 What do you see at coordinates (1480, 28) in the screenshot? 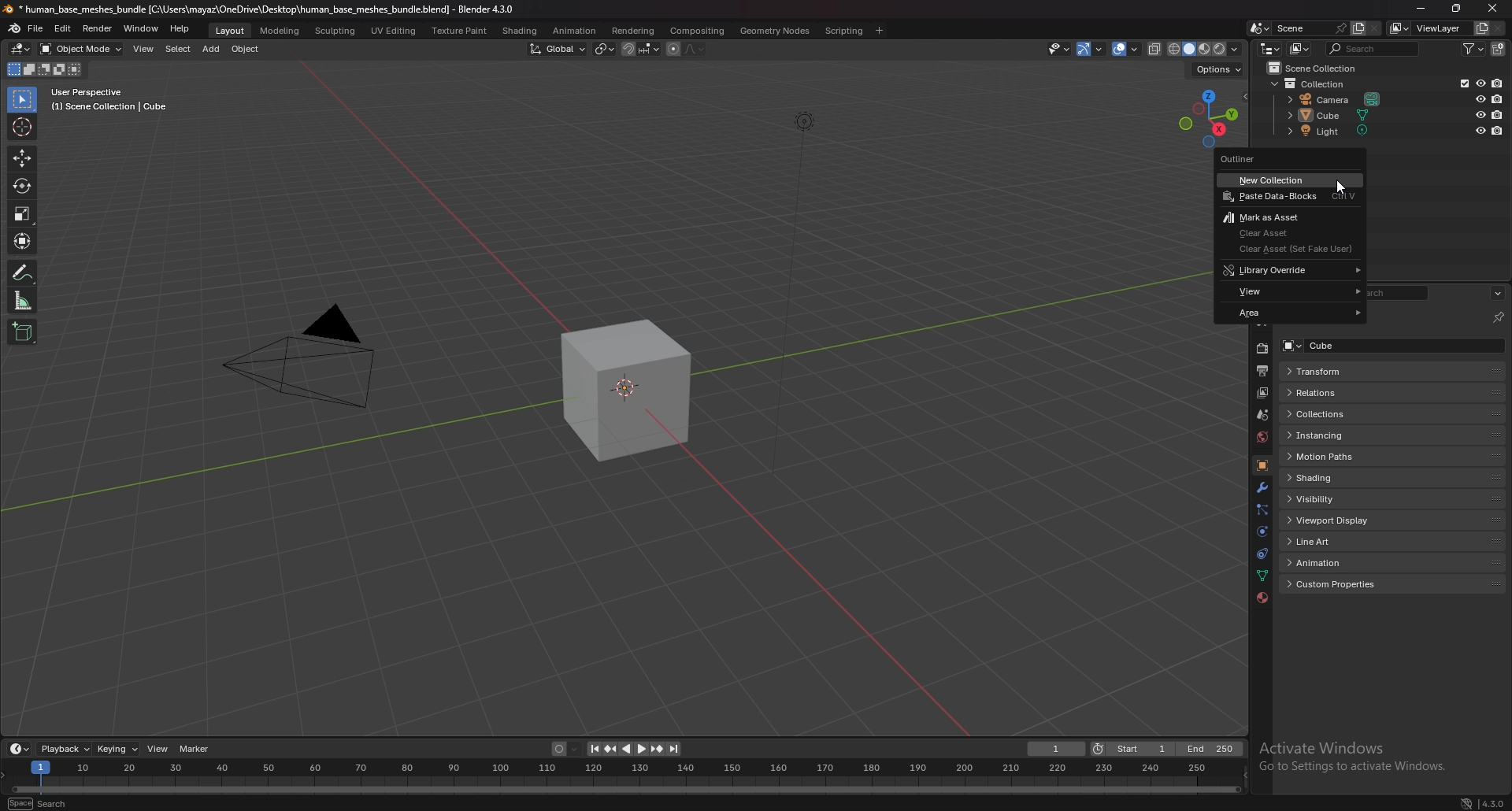
I see `add view layer` at bounding box center [1480, 28].